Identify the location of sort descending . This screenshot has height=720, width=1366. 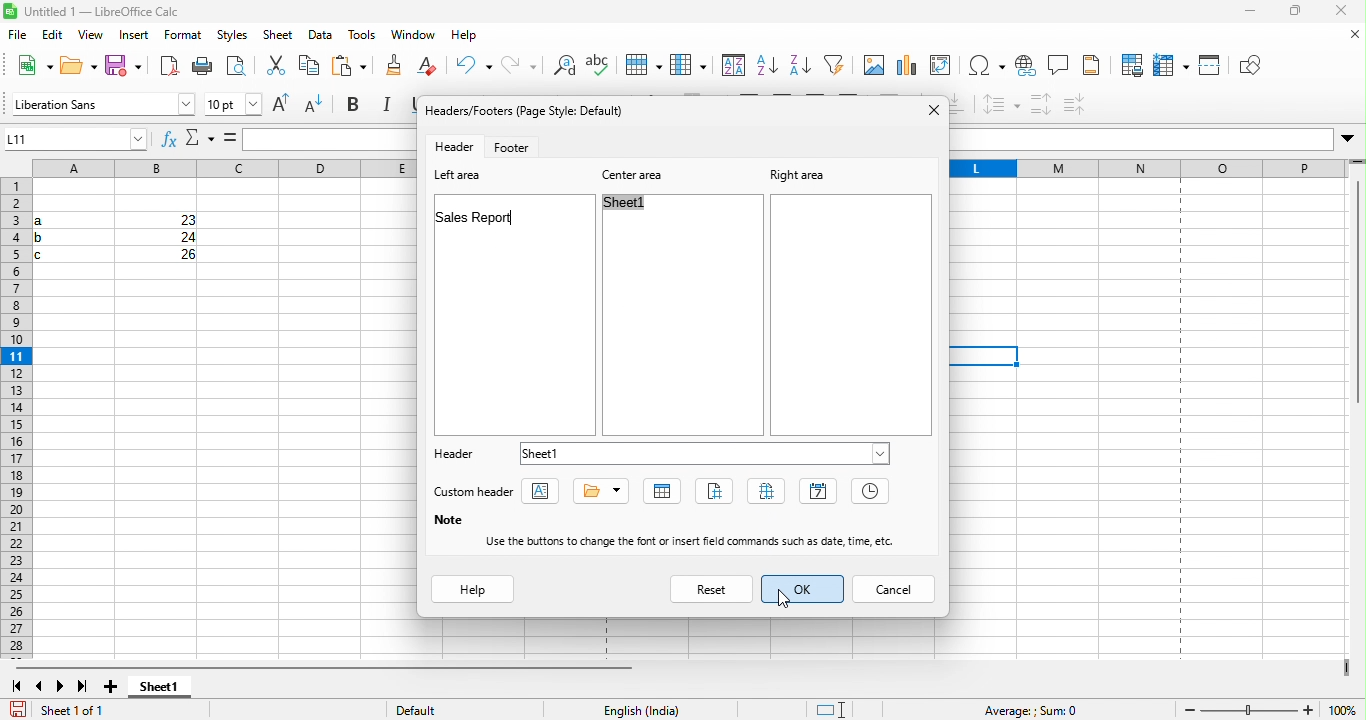
(767, 65).